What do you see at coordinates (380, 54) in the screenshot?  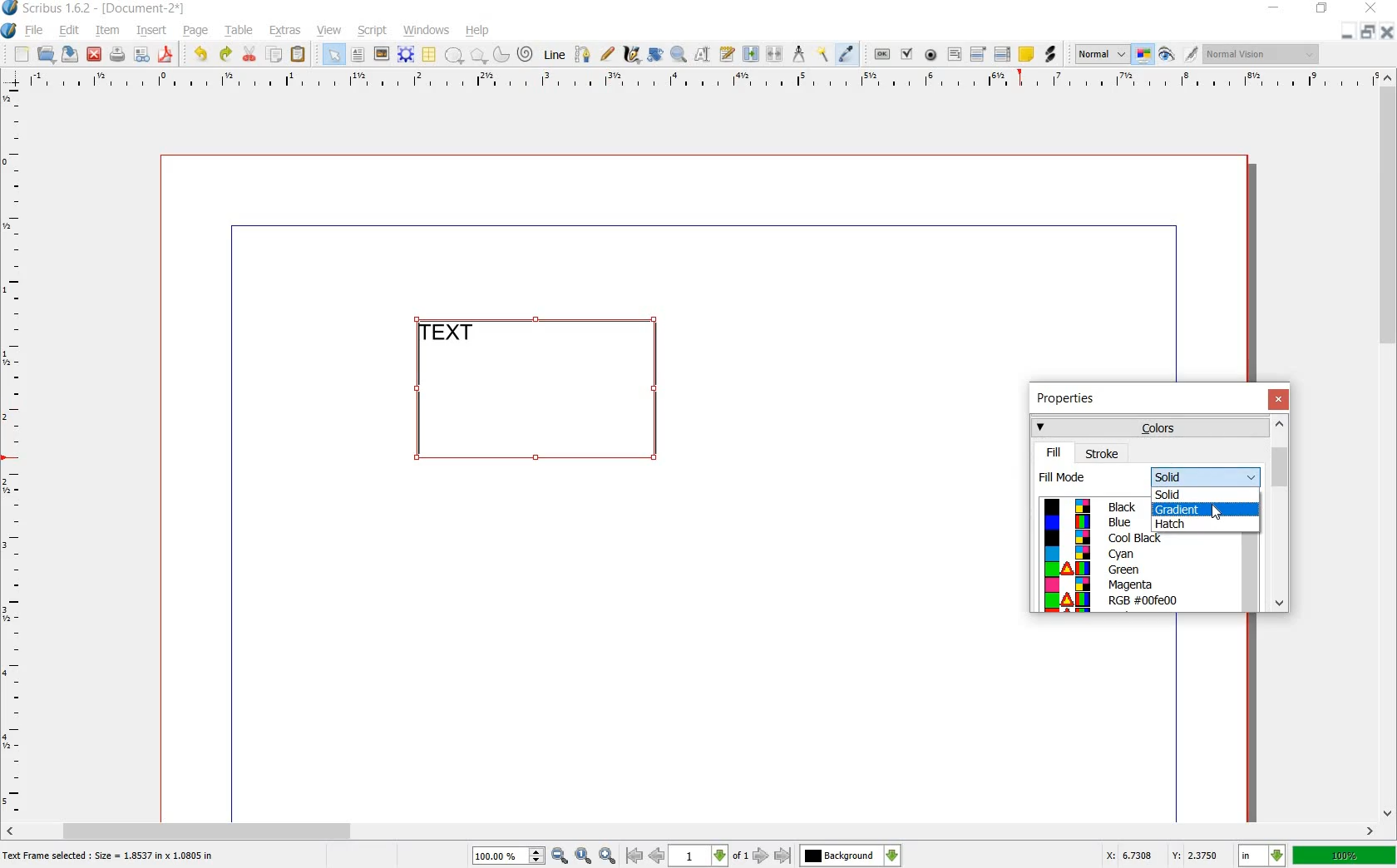 I see `image frame` at bounding box center [380, 54].